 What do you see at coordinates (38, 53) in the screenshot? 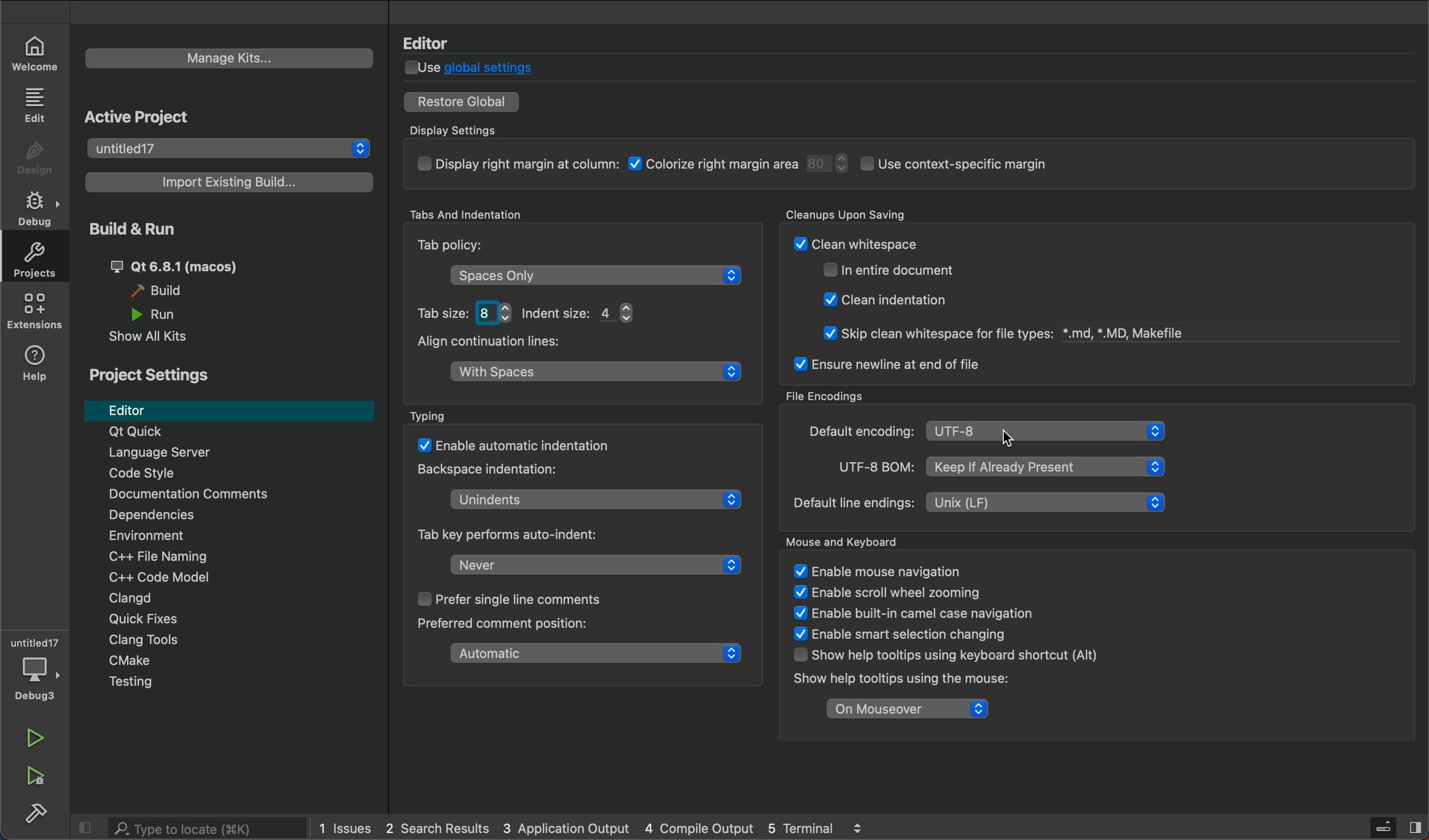
I see `welcome` at bounding box center [38, 53].